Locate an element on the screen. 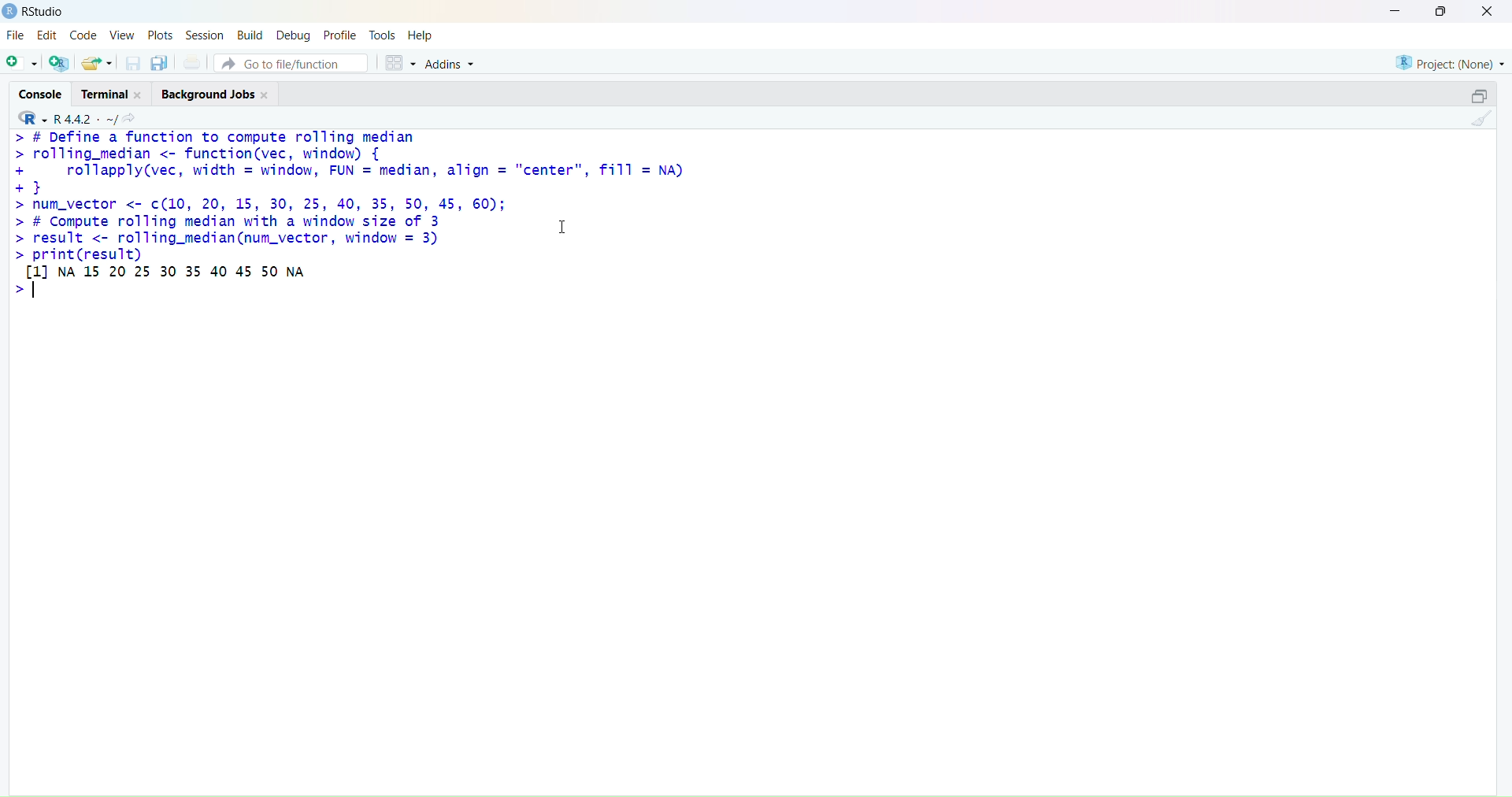 Image resolution: width=1512 pixels, height=797 pixels. file is located at coordinates (14, 34).